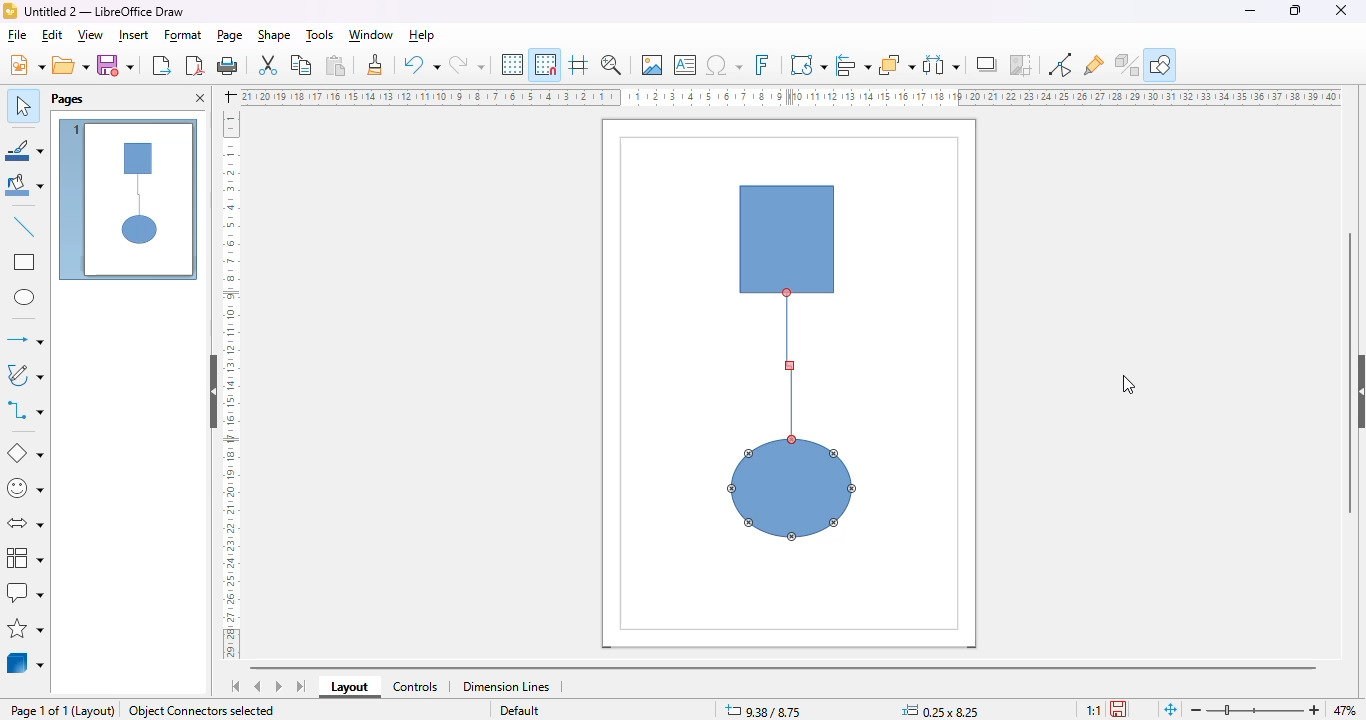  What do you see at coordinates (258, 686) in the screenshot?
I see `scroll to previous sheet` at bounding box center [258, 686].